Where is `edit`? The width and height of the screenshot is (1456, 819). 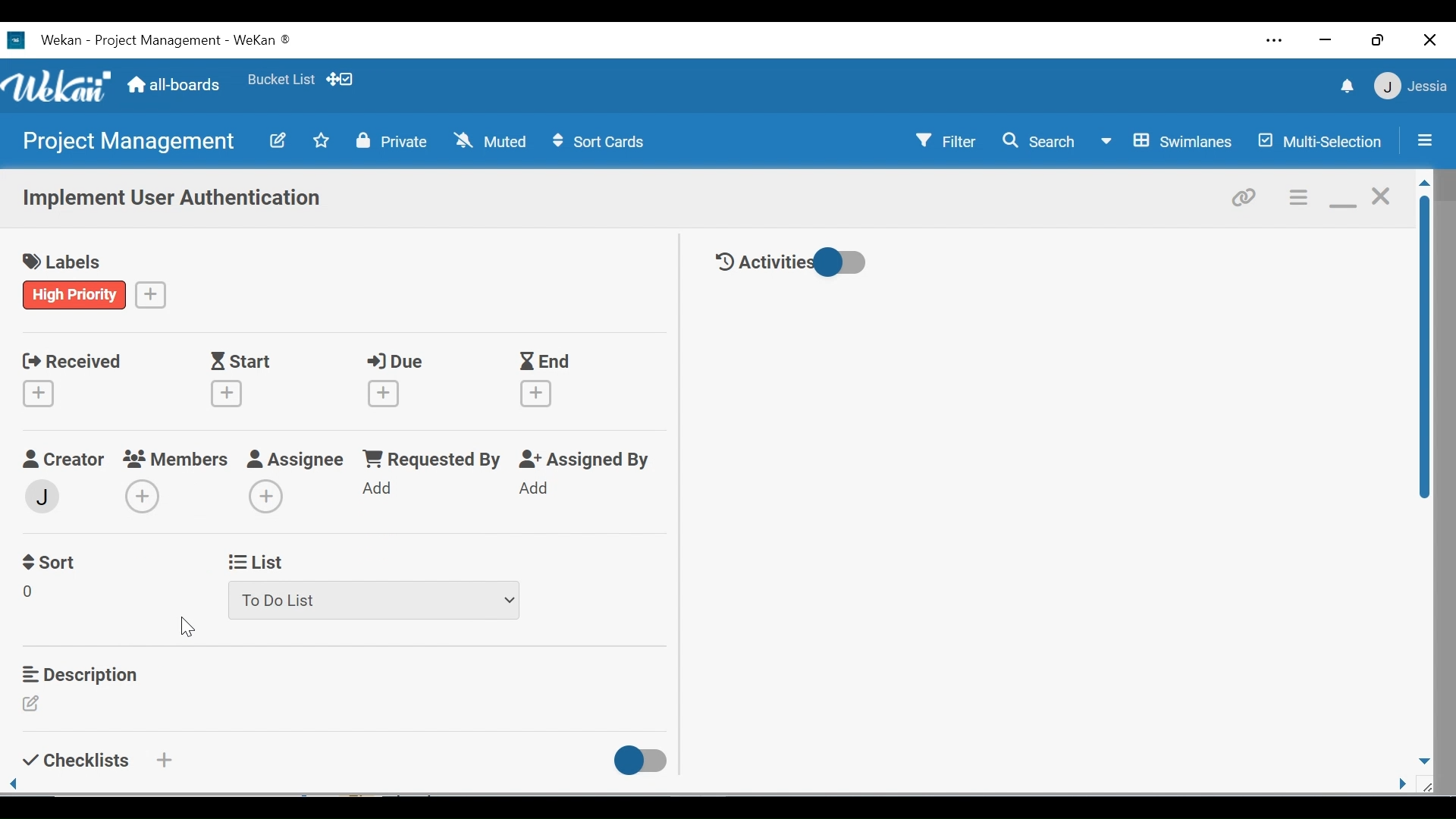
edit is located at coordinates (31, 595).